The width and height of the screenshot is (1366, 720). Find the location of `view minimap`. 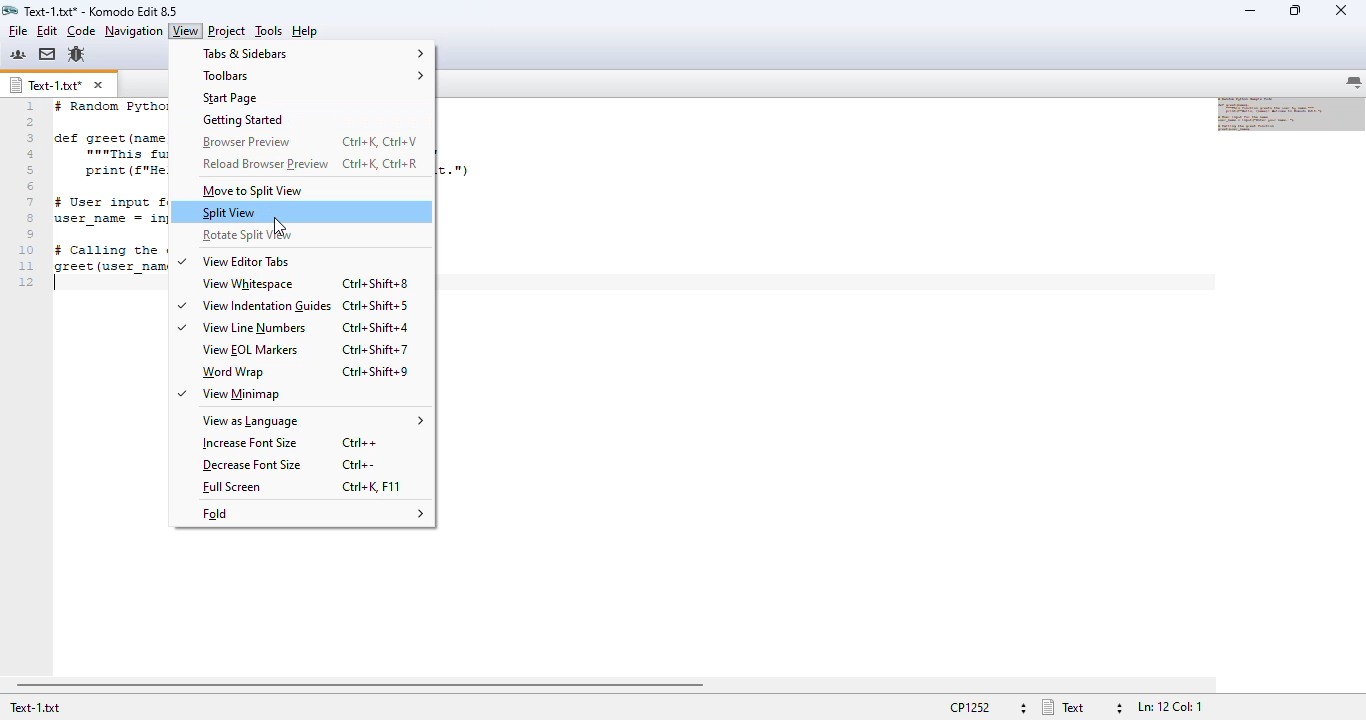

view minimap is located at coordinates (229, 395).